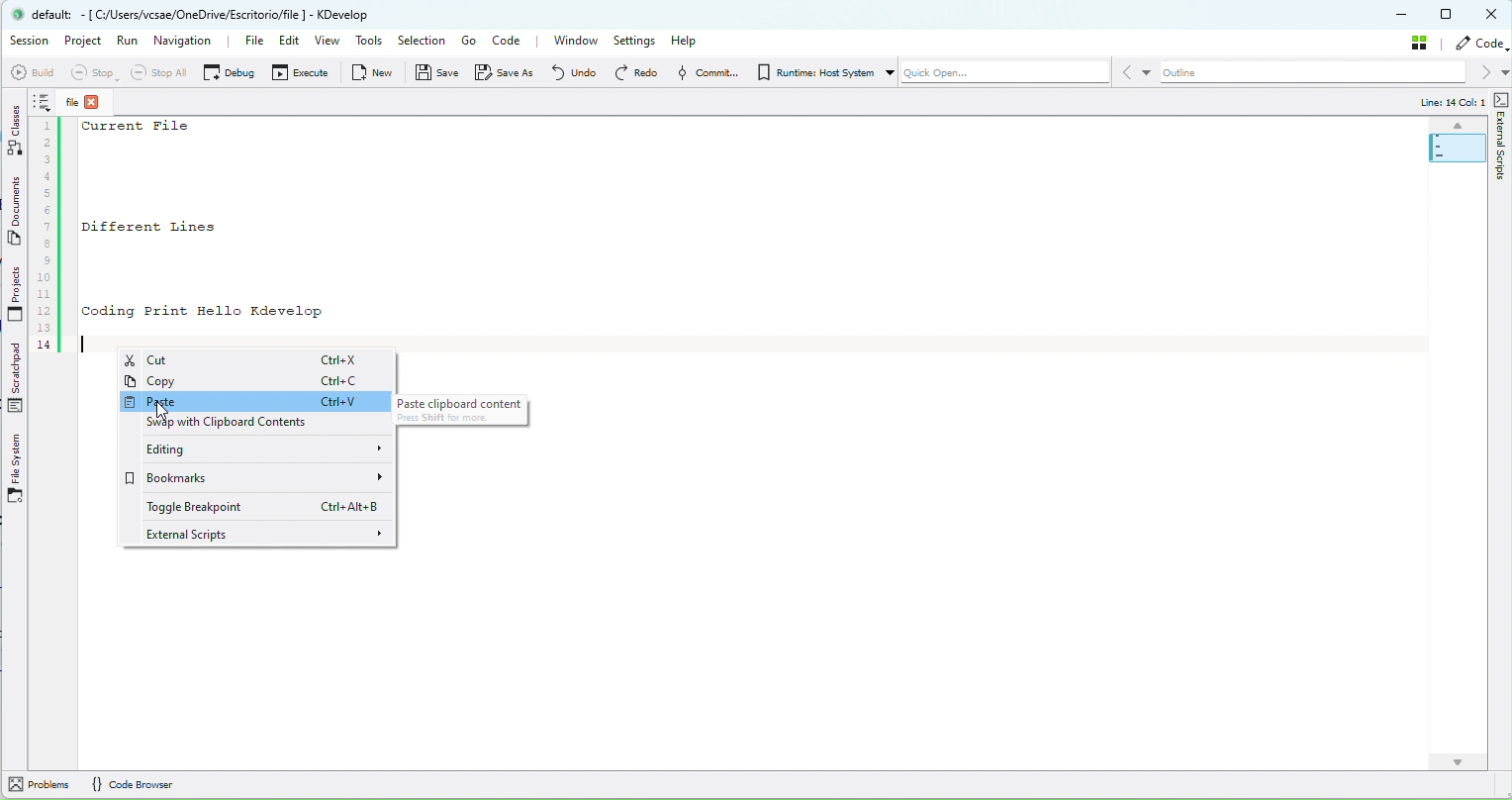 This screenshot has height=800, width=1512. What do you see at coordinates (468, 41) in the screenshot?
I see `Go` at bounding box center [468, 41].